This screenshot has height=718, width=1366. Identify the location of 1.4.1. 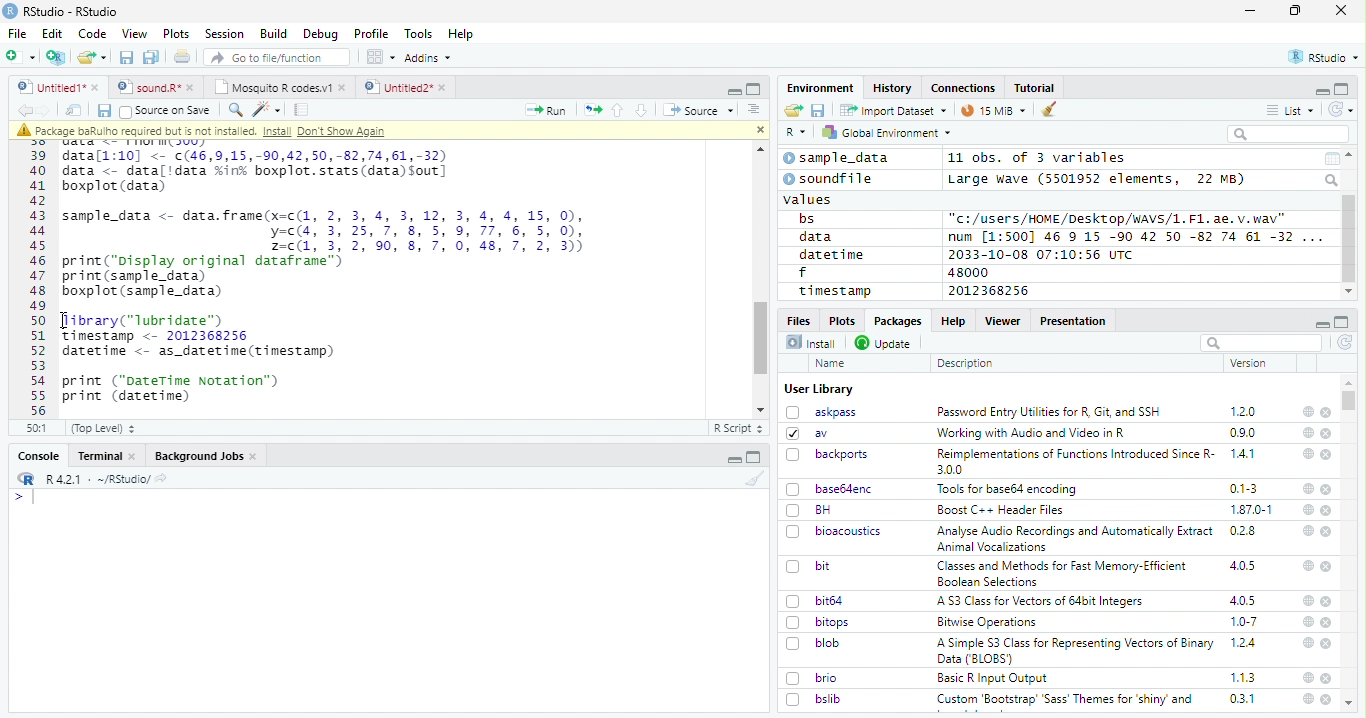
(1244, 453).